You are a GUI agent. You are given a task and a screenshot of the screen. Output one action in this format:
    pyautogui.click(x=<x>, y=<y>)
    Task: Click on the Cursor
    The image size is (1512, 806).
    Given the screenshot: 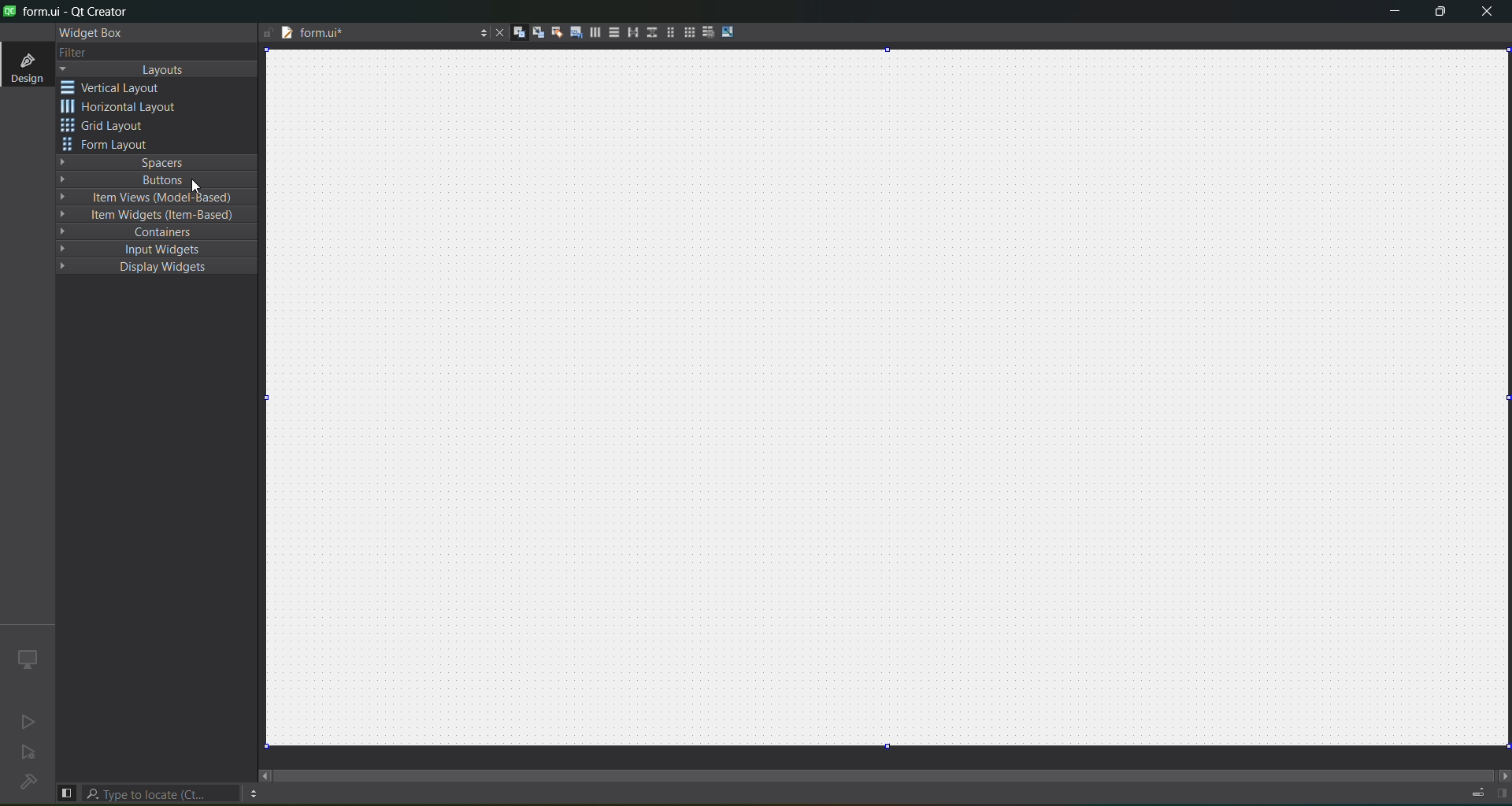 What is the action you would take?
    pyautogui.click(x=195, y=183)
    